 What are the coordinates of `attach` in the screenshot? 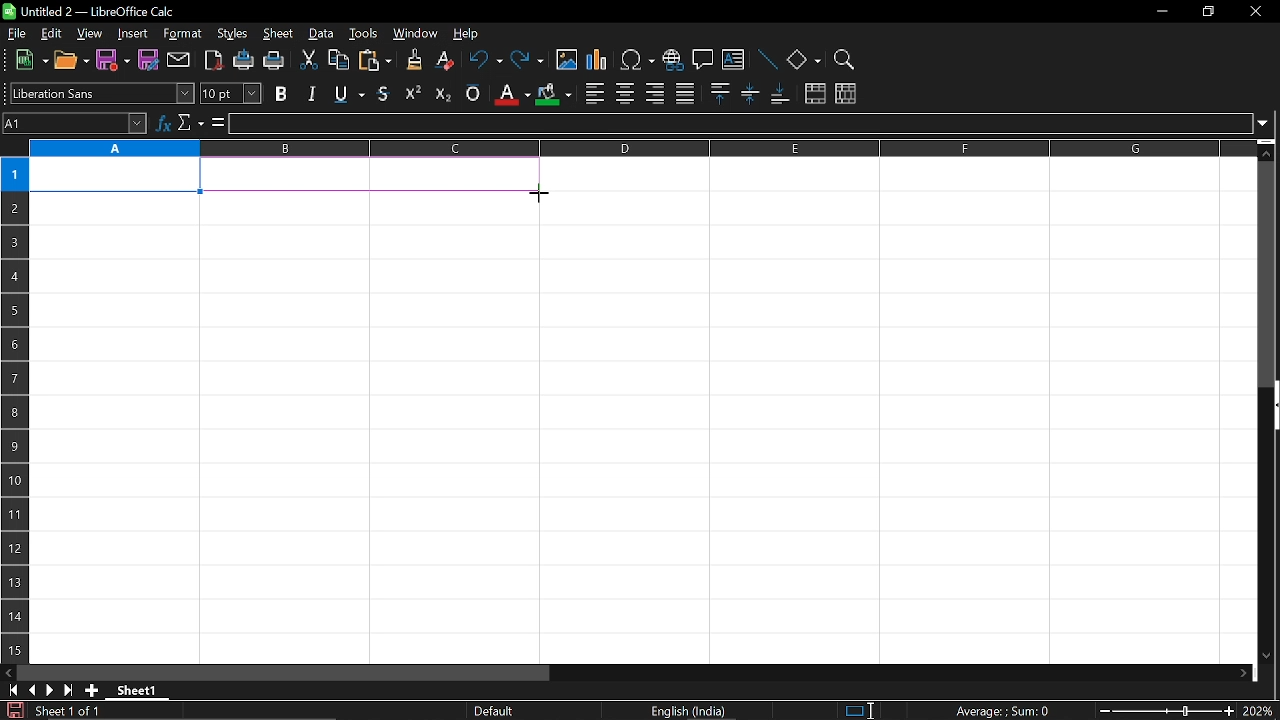 It's located at (177, 59).